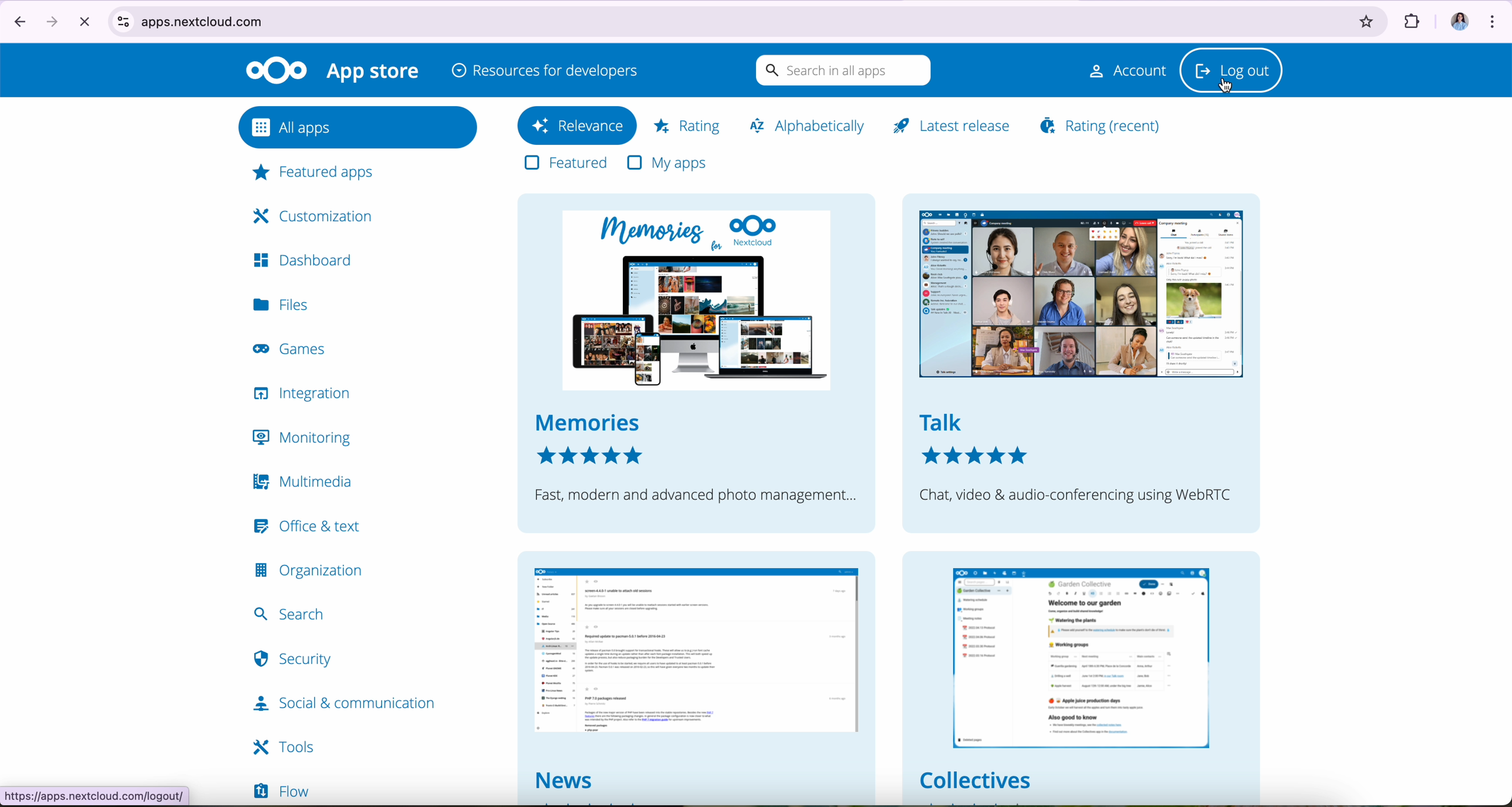 The height and width of the screenshot is (807, 1512). I want to click on rating, so click(686, 127).